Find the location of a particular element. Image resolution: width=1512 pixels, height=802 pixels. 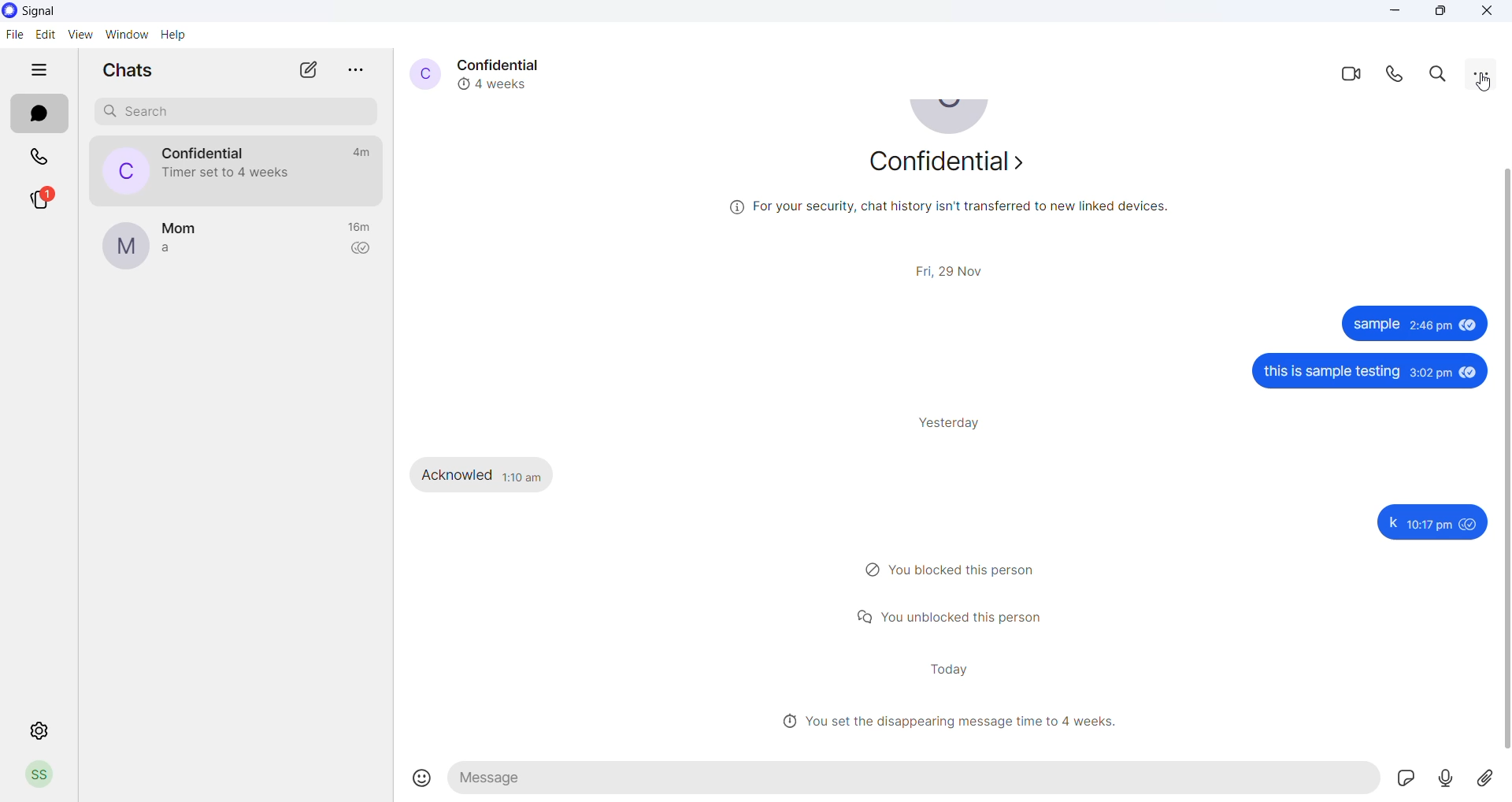

 is located at coordinates (1373, 373).